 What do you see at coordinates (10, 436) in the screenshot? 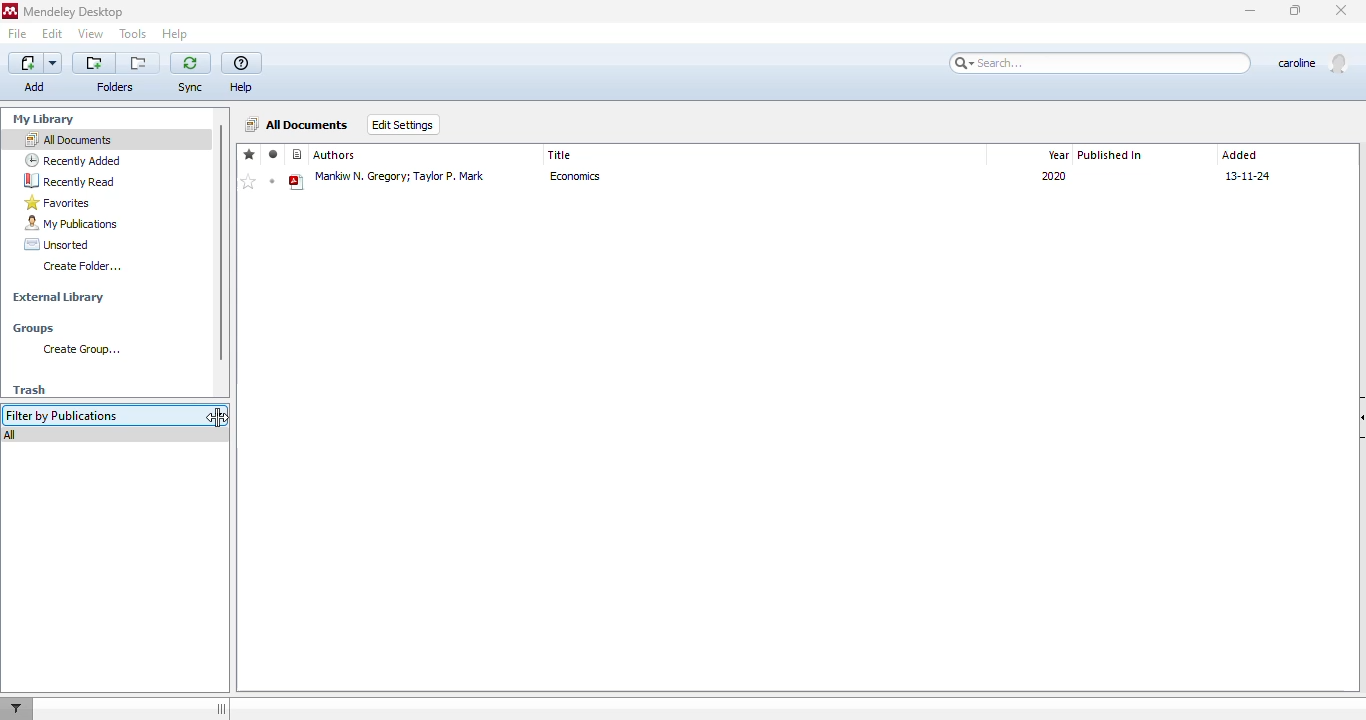
I see `all` at bounding box center [10, 436].